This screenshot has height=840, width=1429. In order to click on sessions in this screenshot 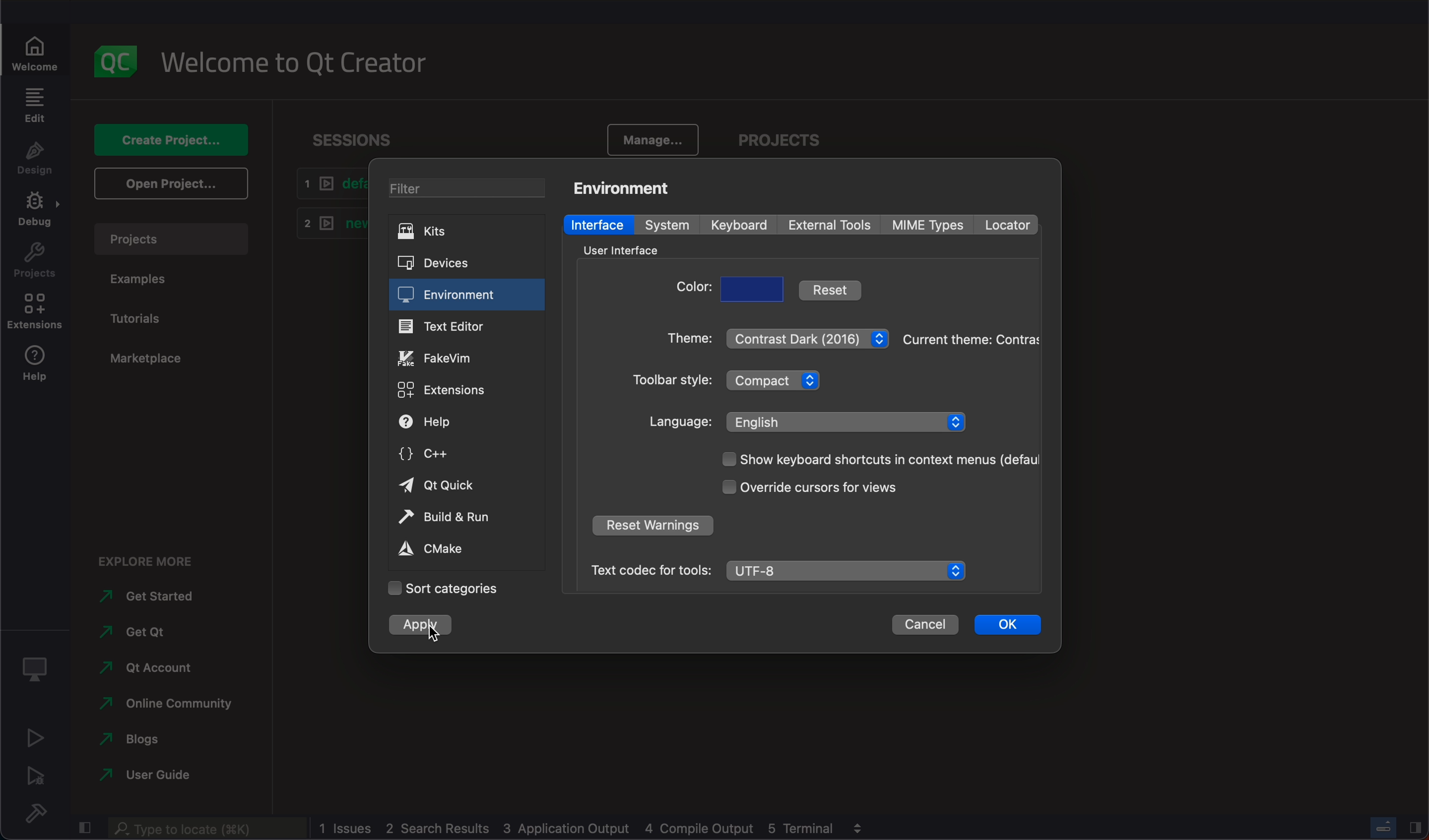, I will do `click(366, 137)`.